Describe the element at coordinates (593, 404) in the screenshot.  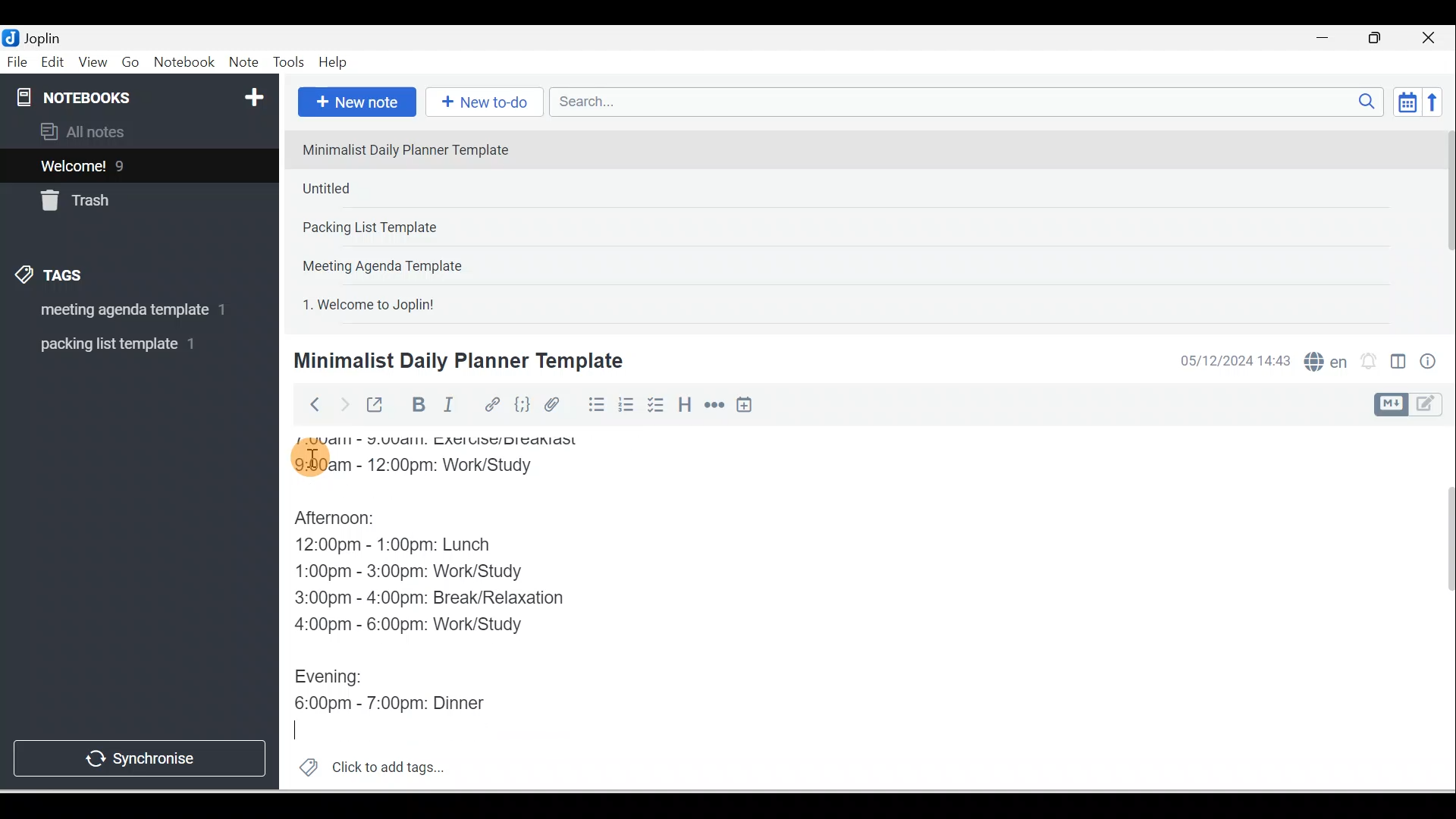
I see `Bulleted list` at that location.